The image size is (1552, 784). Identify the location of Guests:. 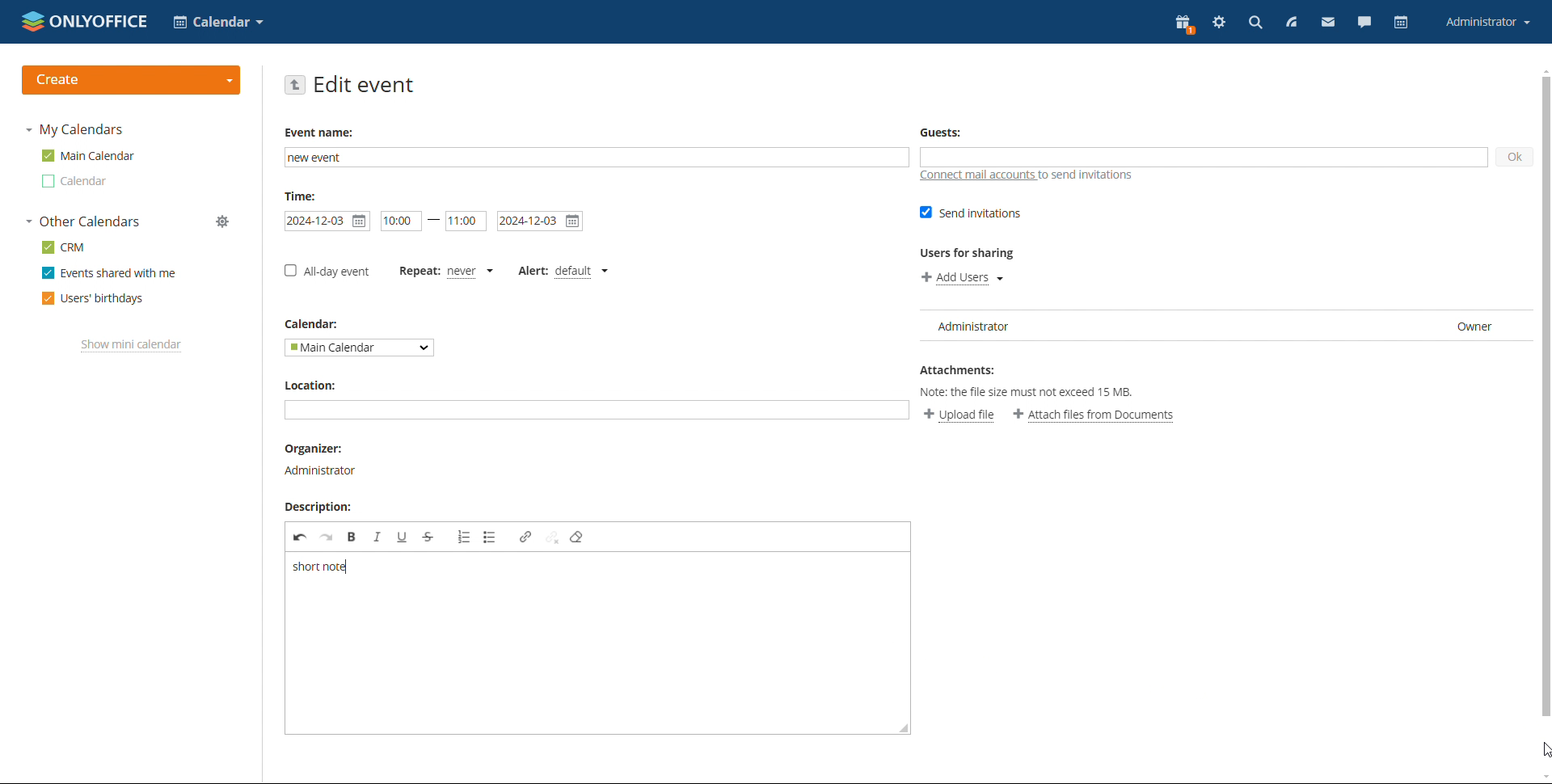
(940, 130).